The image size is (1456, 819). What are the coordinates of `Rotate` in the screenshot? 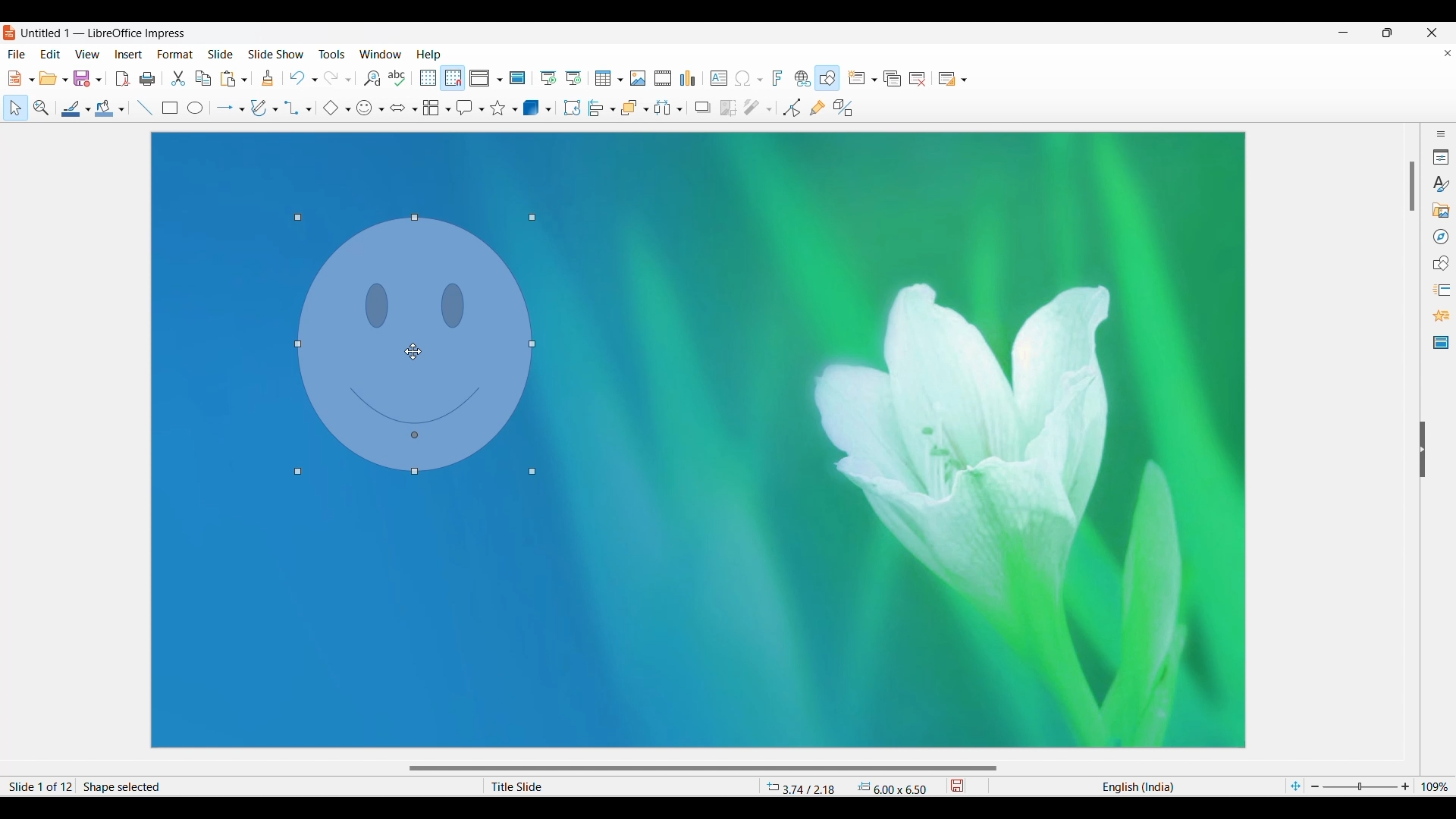 It's located at (572, 107).